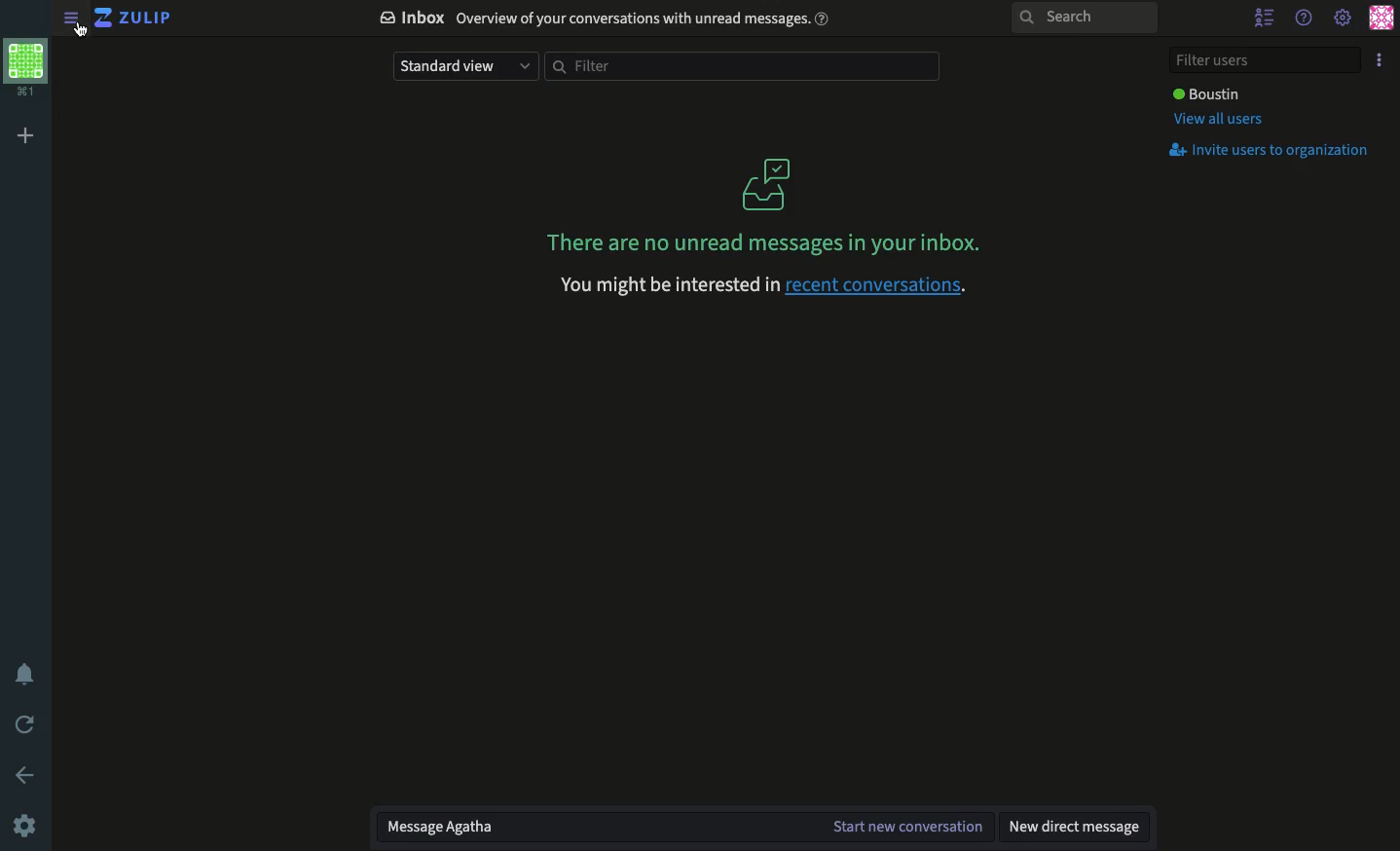  Describe the element at coordinates (1208, 93) in the screenshot. I see `User` at that location.